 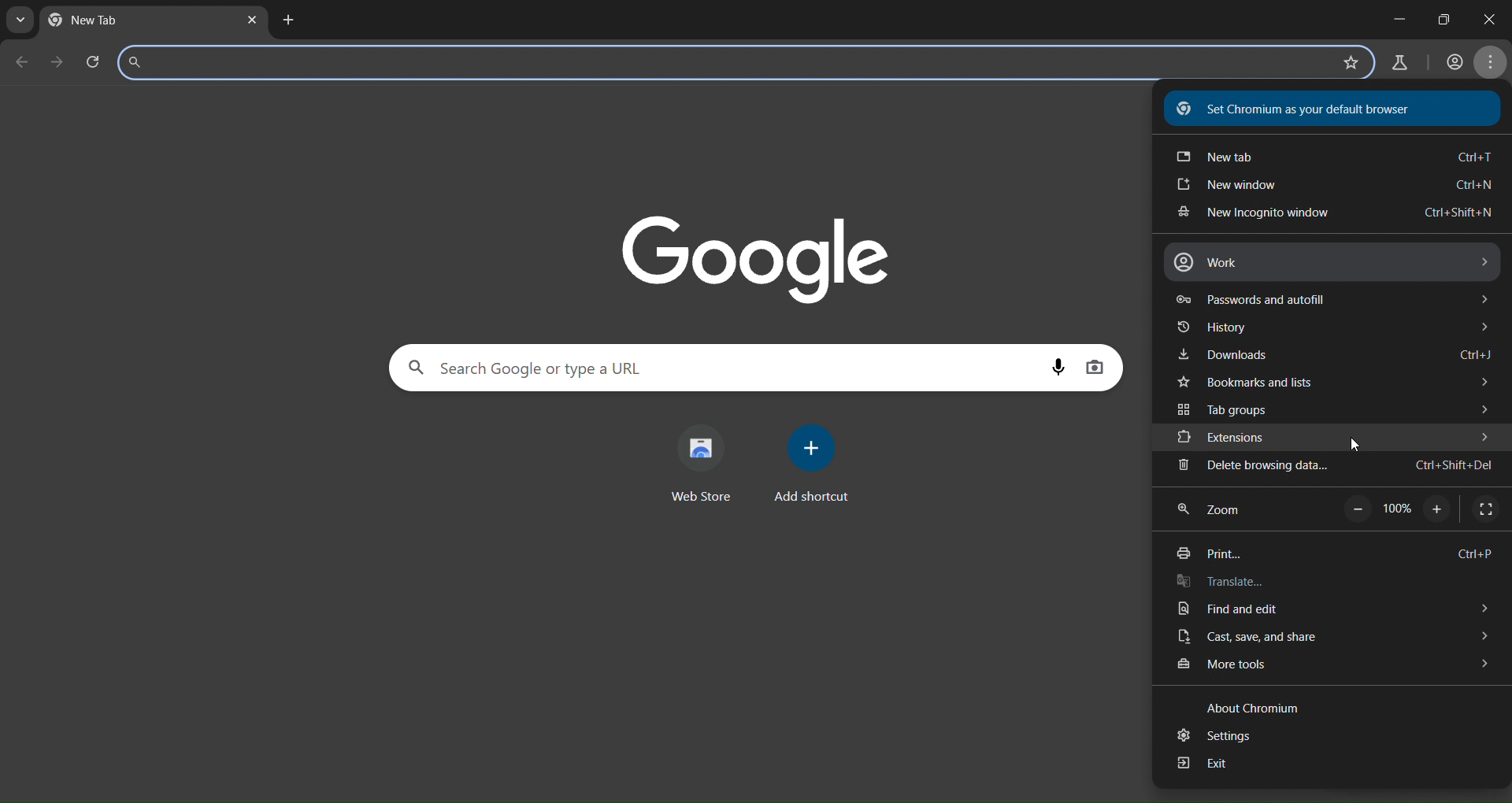 I want to click on close, so click(x=1446, y=17).